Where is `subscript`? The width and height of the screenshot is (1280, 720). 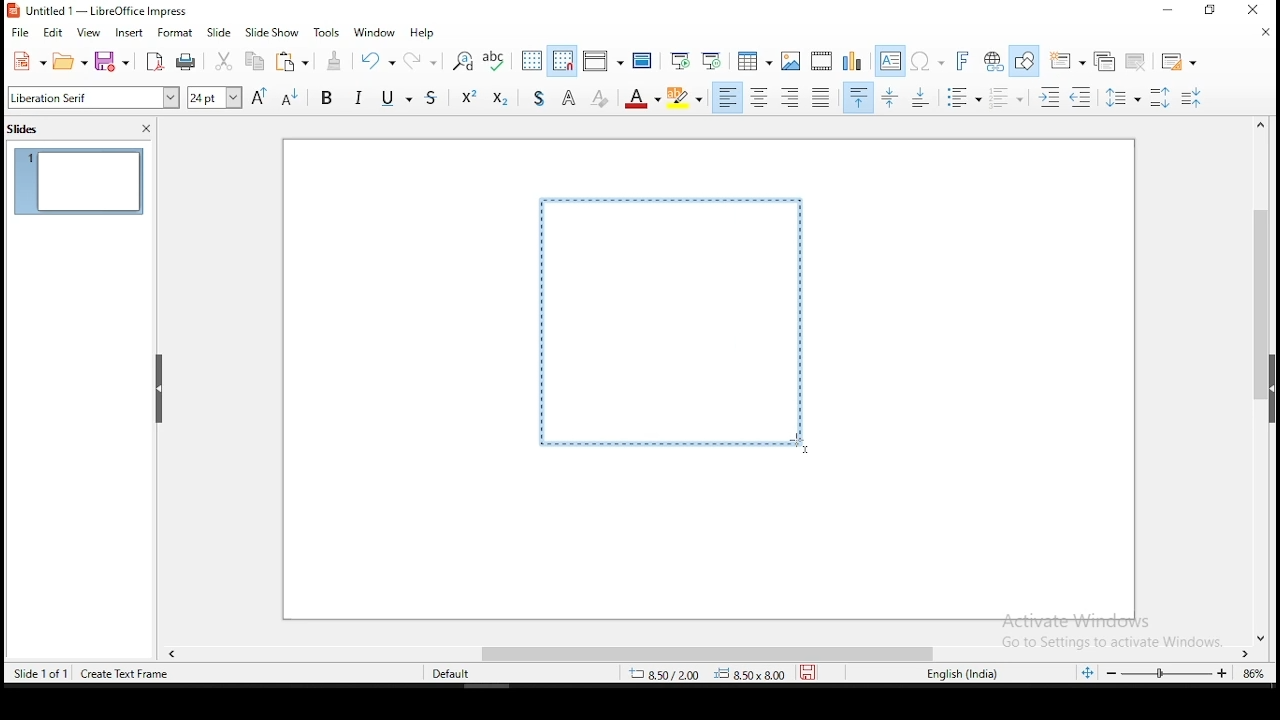 subscript is located at coordinates (502, 99).